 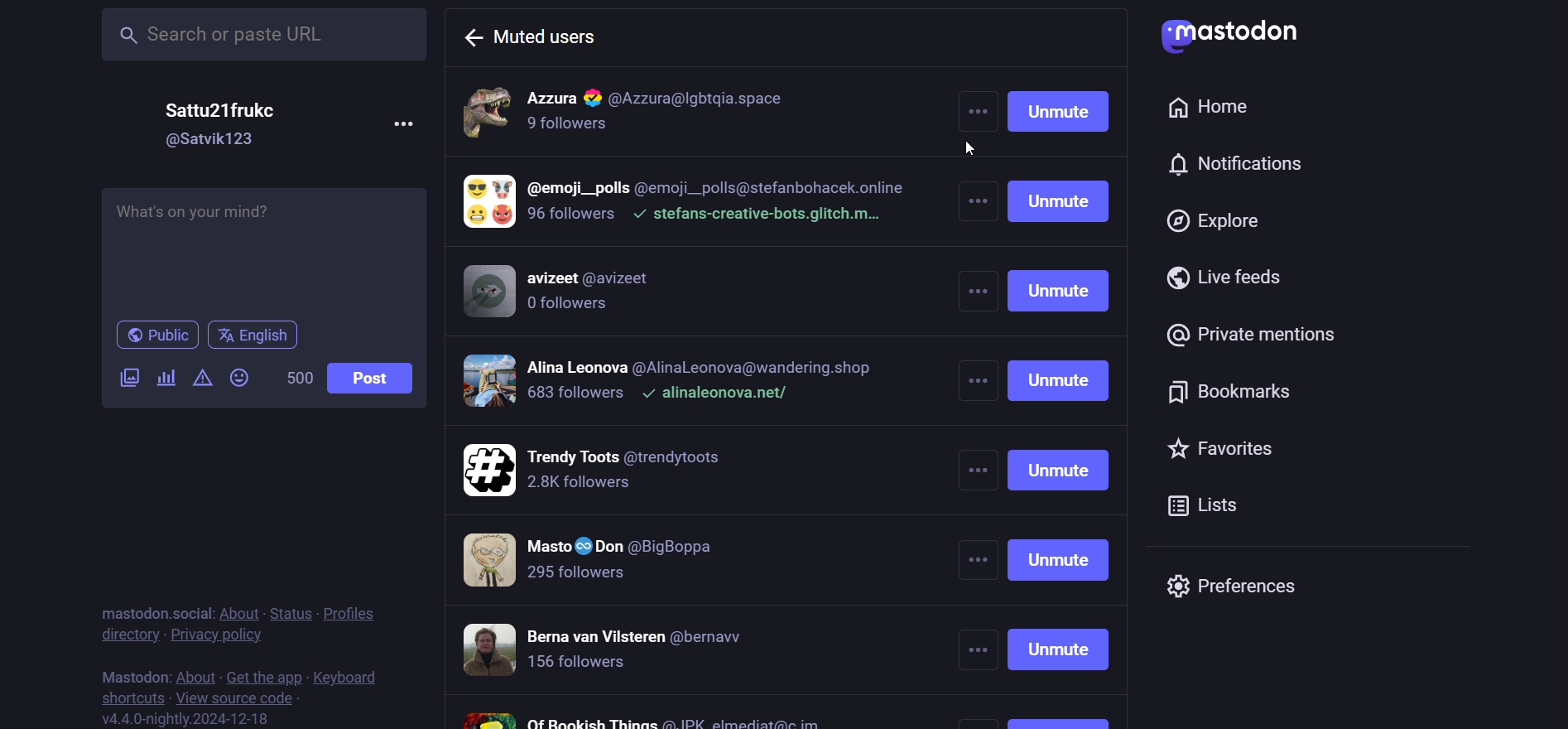 What do you see at coordinates (240, 612) in the screenshot?
I see `about` at bounding box center [240, 612].